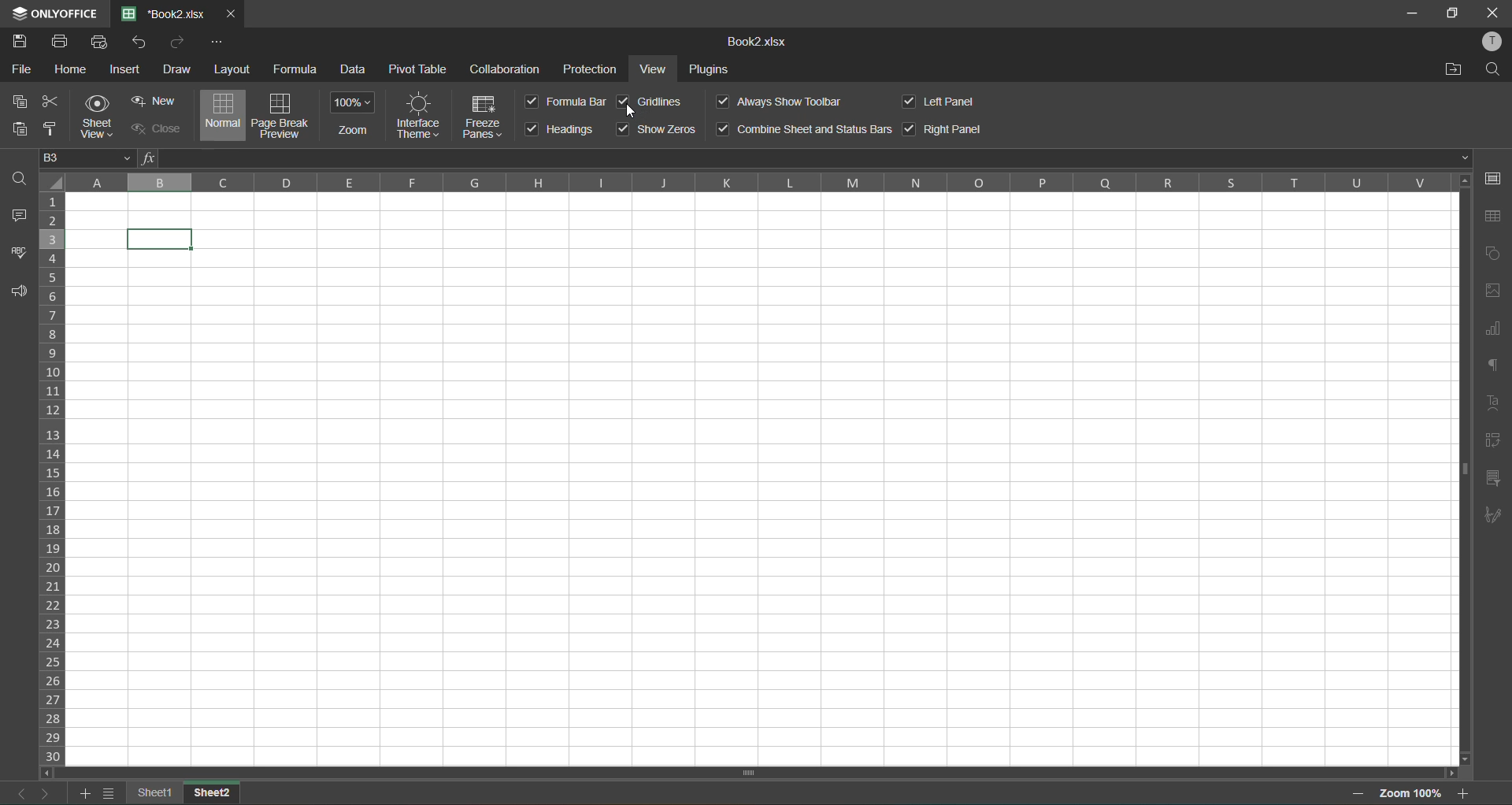 The height and width of the screenshot is (805, 1512). I want to click on layout, so click(233, 69).